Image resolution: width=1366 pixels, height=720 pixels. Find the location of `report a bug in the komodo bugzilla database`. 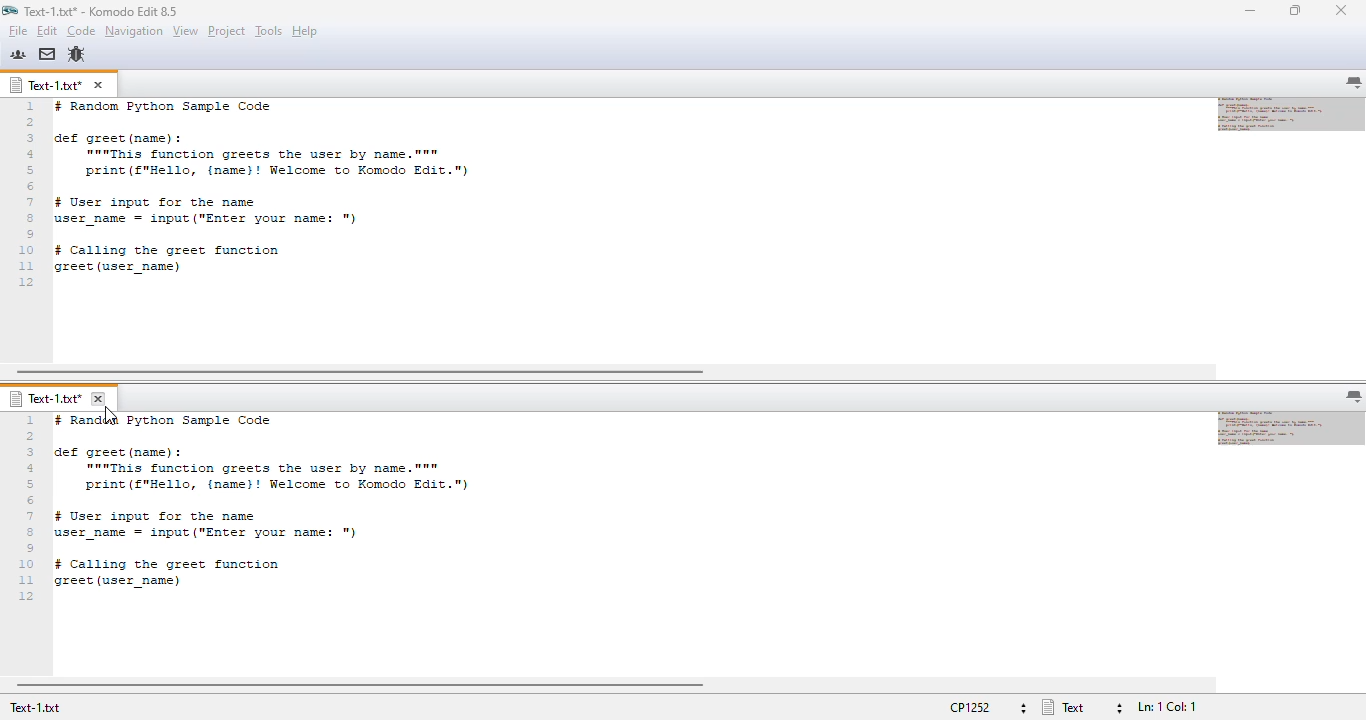

report a bug in the komodo bugzilla database is located at coordinates (76, 54).